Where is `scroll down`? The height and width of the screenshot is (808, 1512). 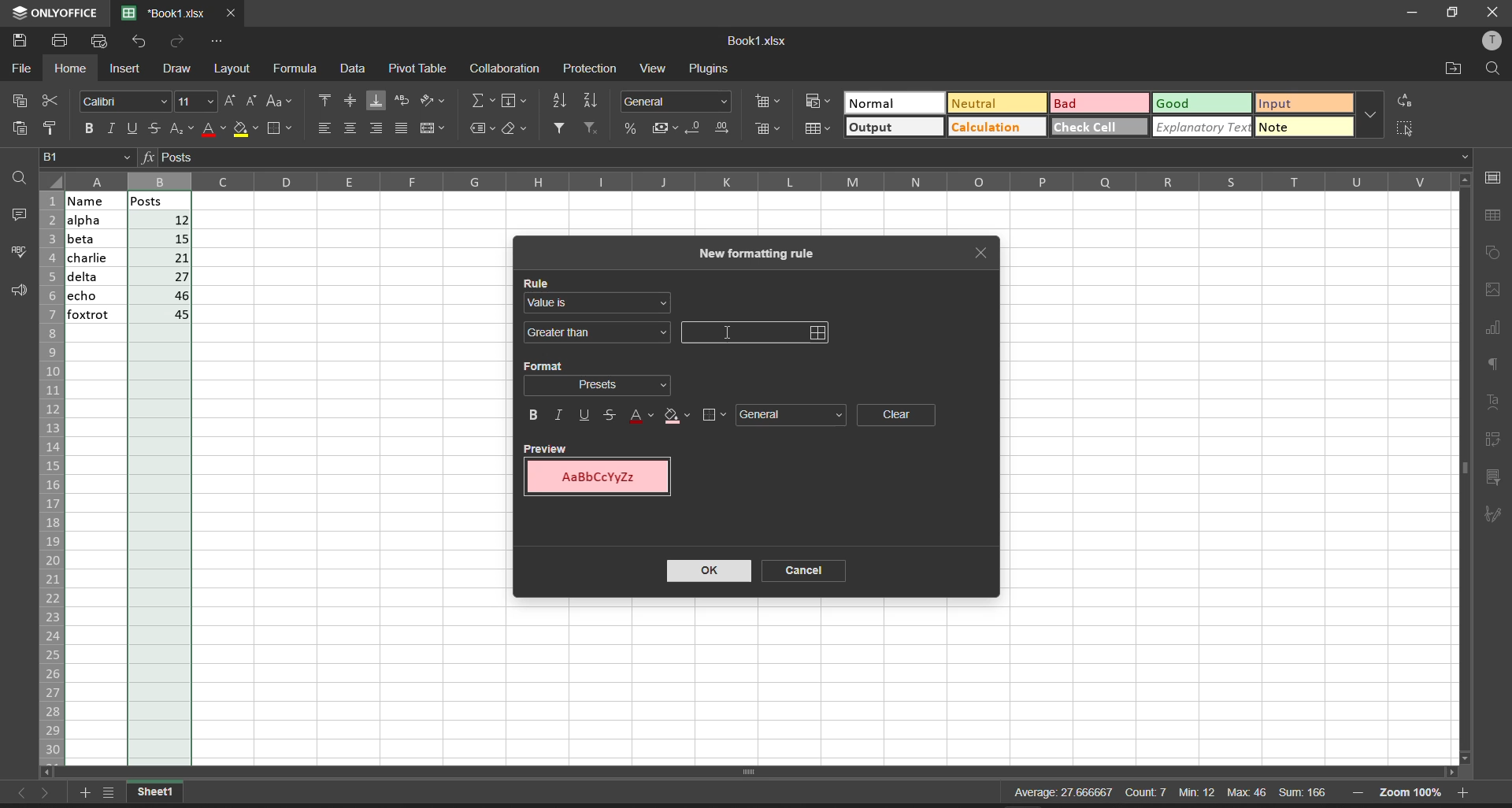 scroll down is located at coordinates (1471, 754).